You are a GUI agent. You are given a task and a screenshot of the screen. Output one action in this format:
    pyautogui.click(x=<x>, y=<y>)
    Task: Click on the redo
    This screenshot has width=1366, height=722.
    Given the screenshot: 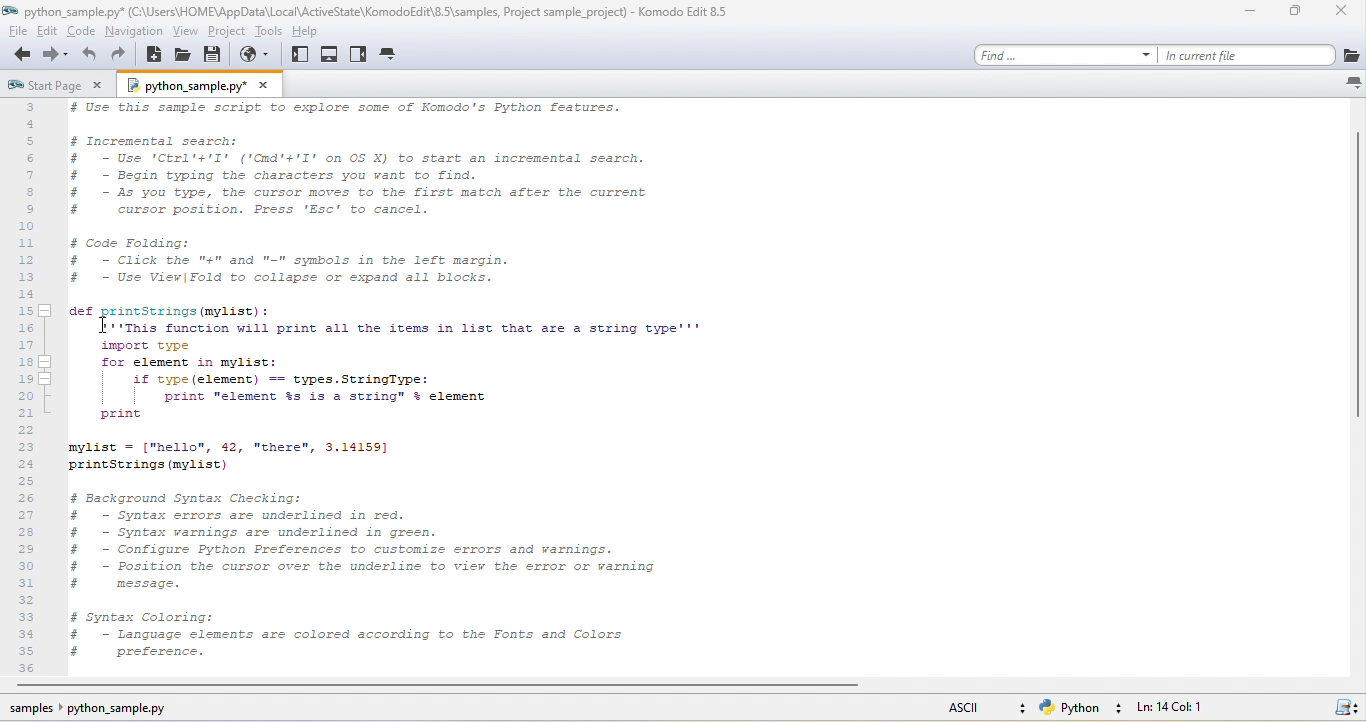 What is the action you would take?
    pyautogui.click(x=127, y=56)
    